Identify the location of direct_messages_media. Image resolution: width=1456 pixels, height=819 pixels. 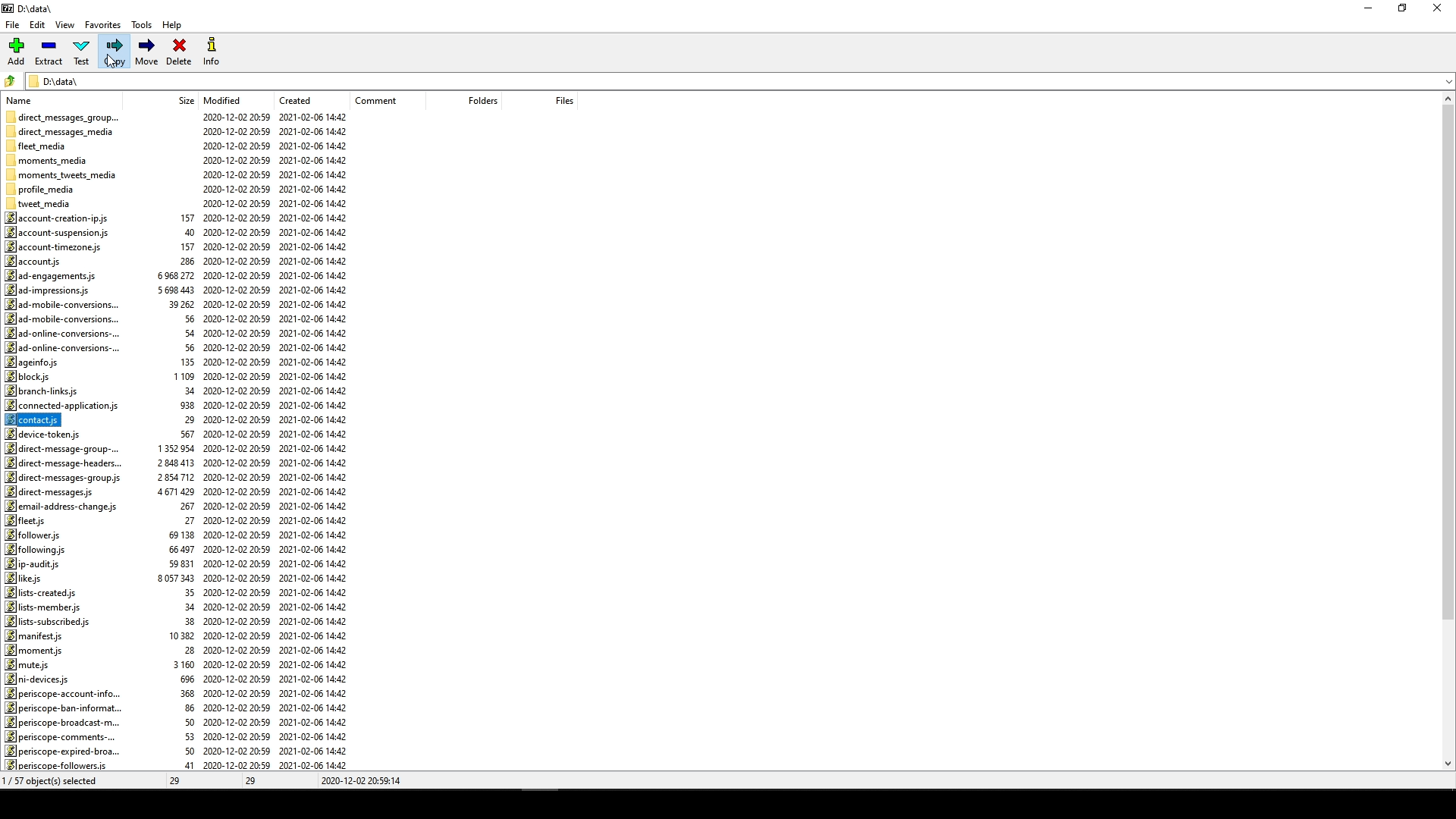
(65, 131).